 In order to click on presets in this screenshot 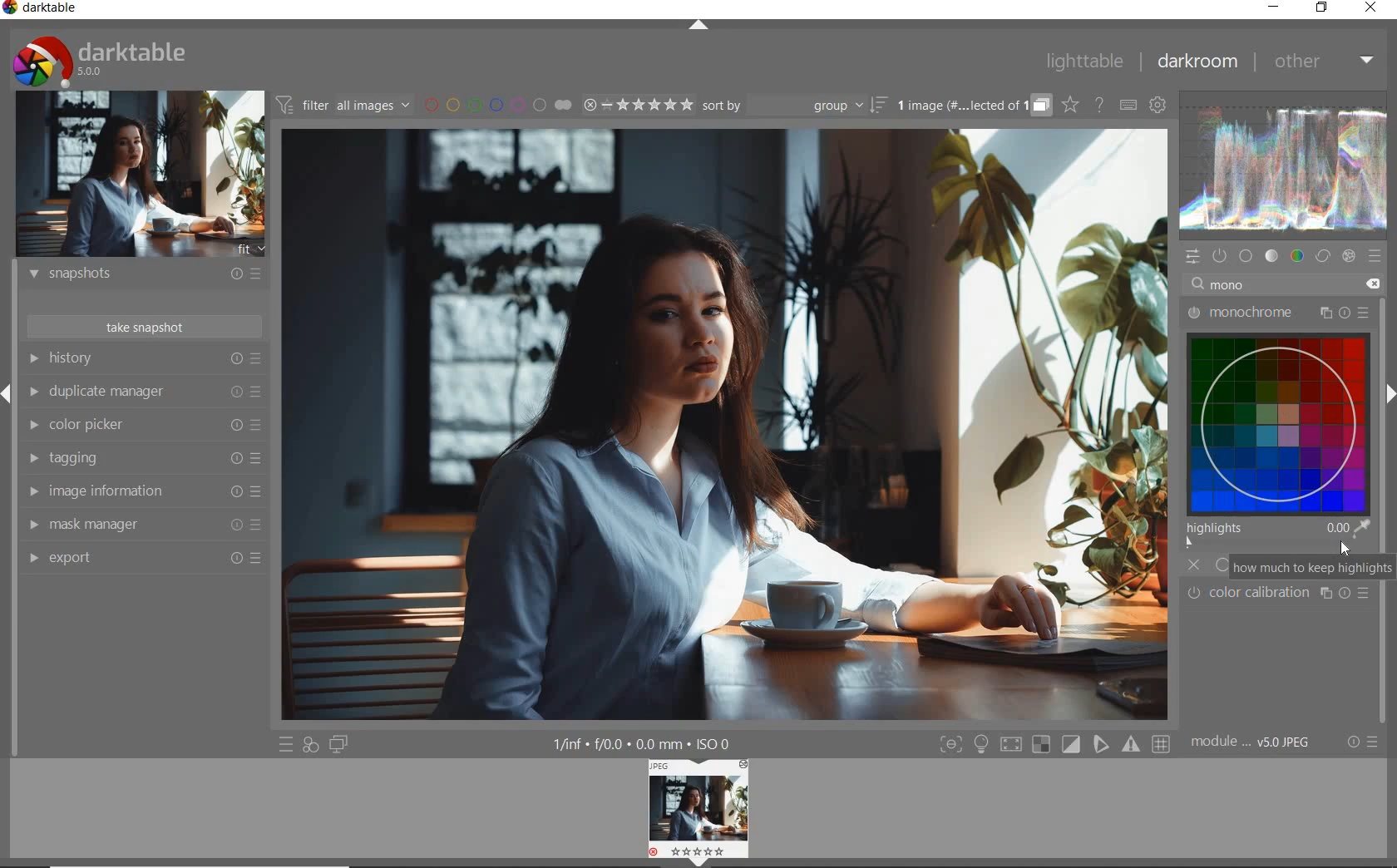, I will do `click(1376, 256)`.